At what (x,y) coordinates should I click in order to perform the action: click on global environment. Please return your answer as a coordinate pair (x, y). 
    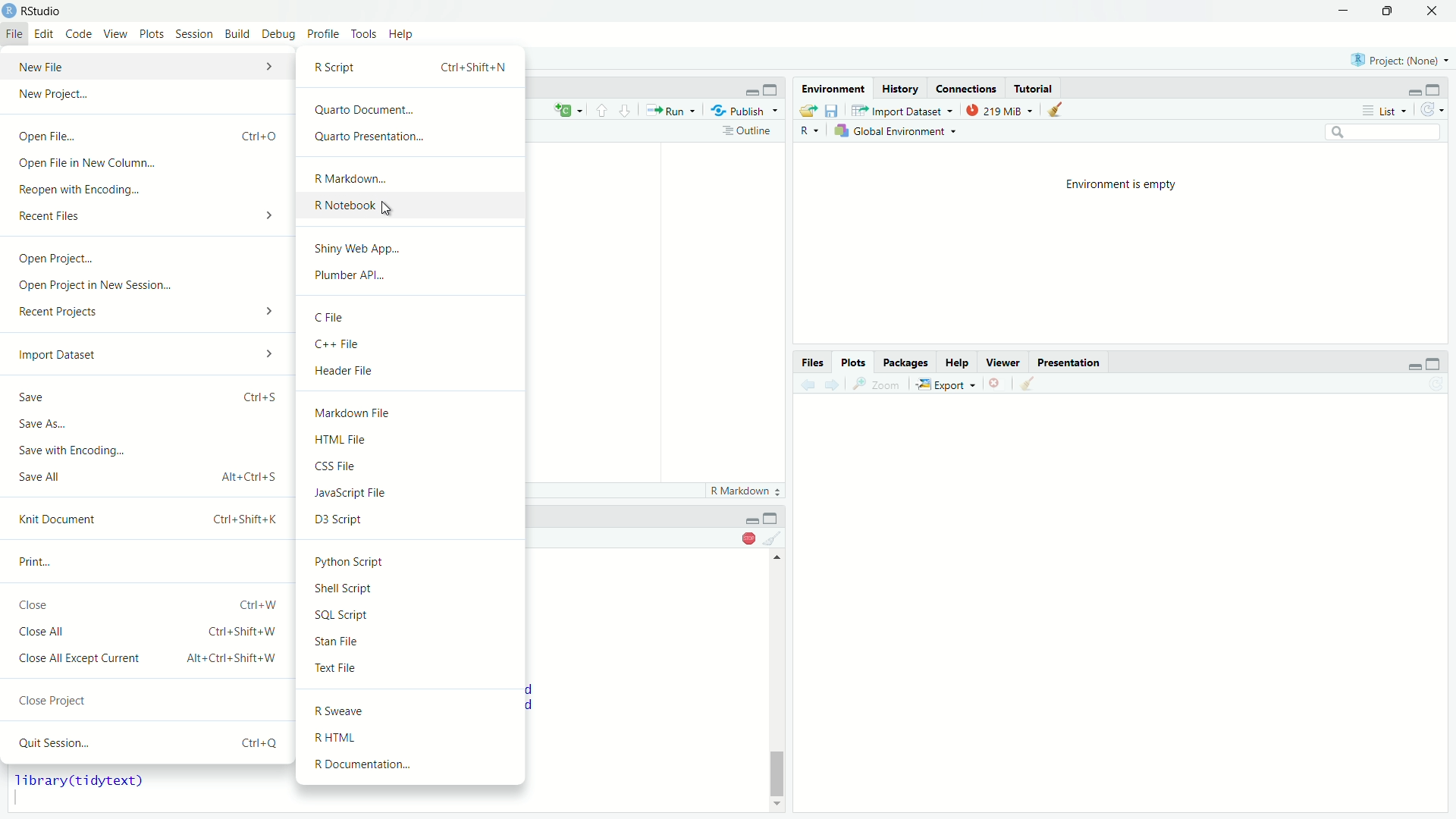
    Looking at the image, I should click on (898, 132).